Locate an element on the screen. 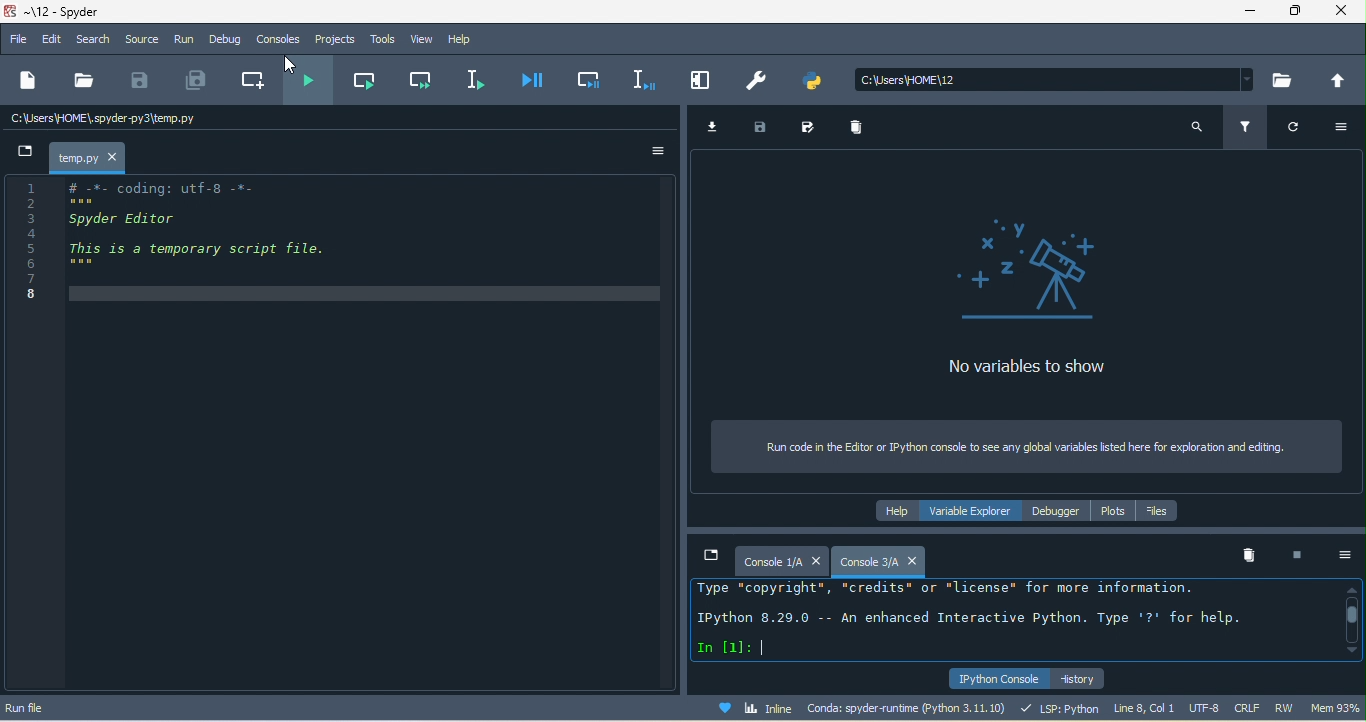  variable explorer is located at coordinates (975, 512).